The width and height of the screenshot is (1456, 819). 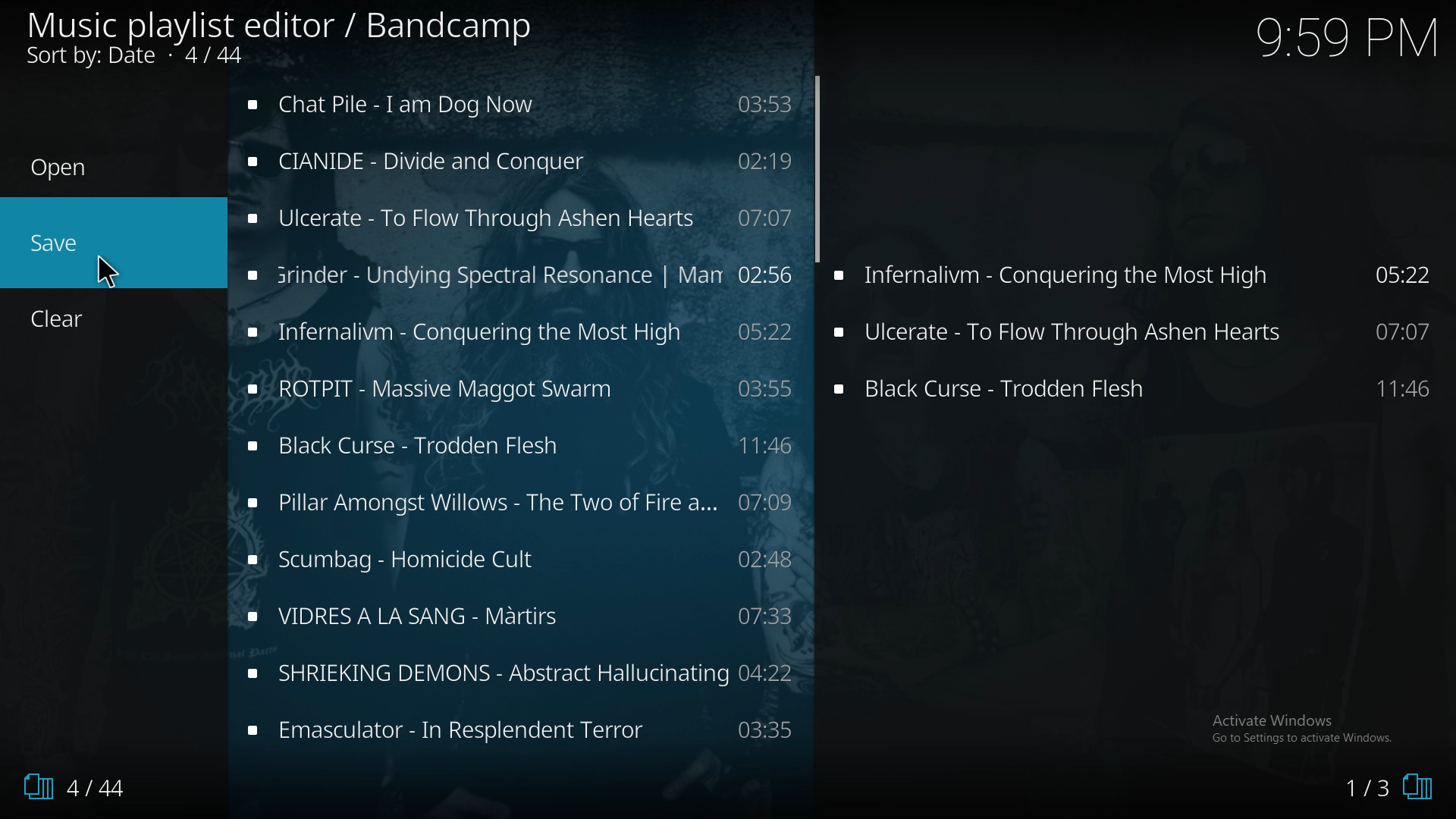 What do you see at coordinates (520, 563) in the screenshot?
I see `music` at bounding box center [520, 563].